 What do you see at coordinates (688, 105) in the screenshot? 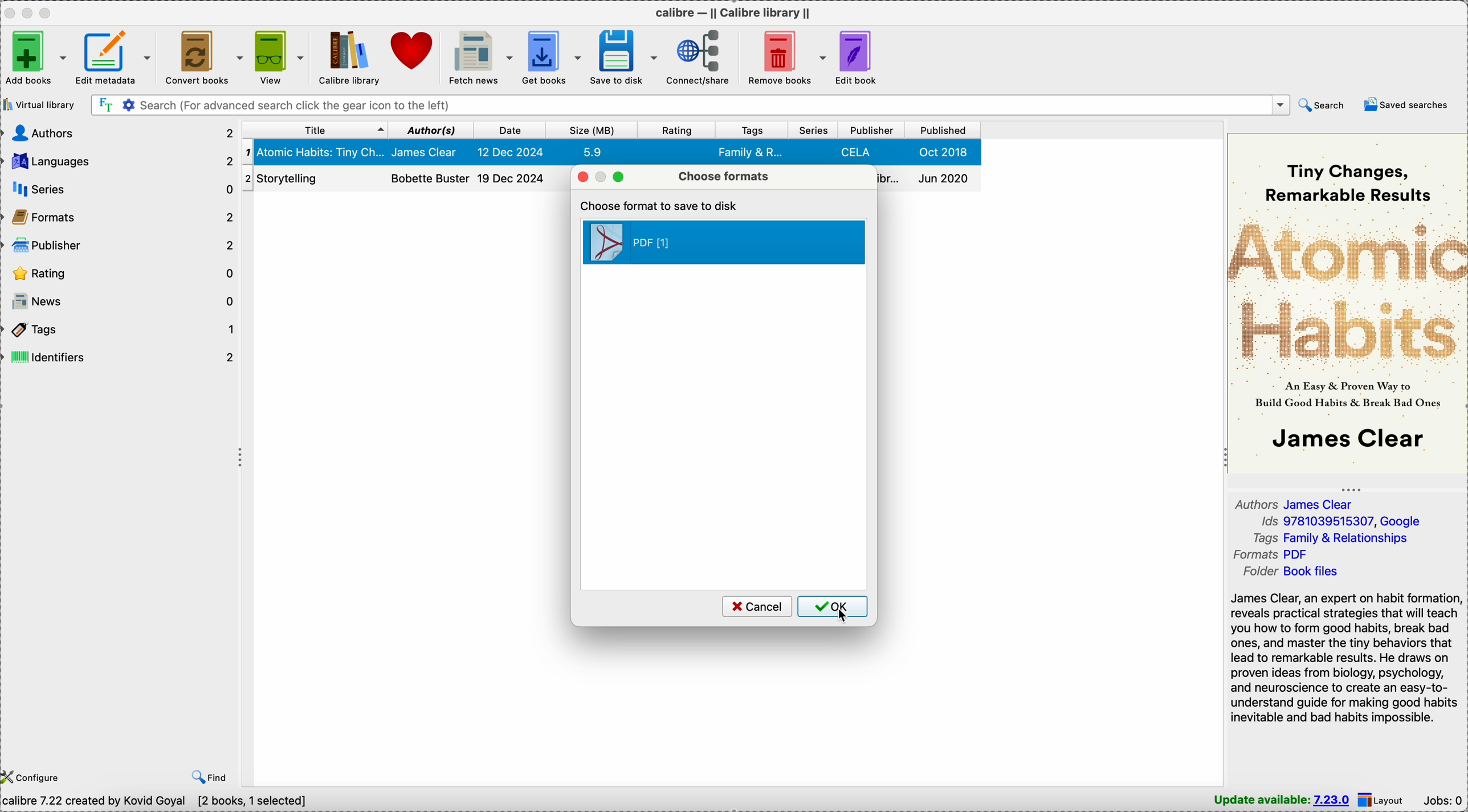
I see `search bar` at bounding box center [688, 105].